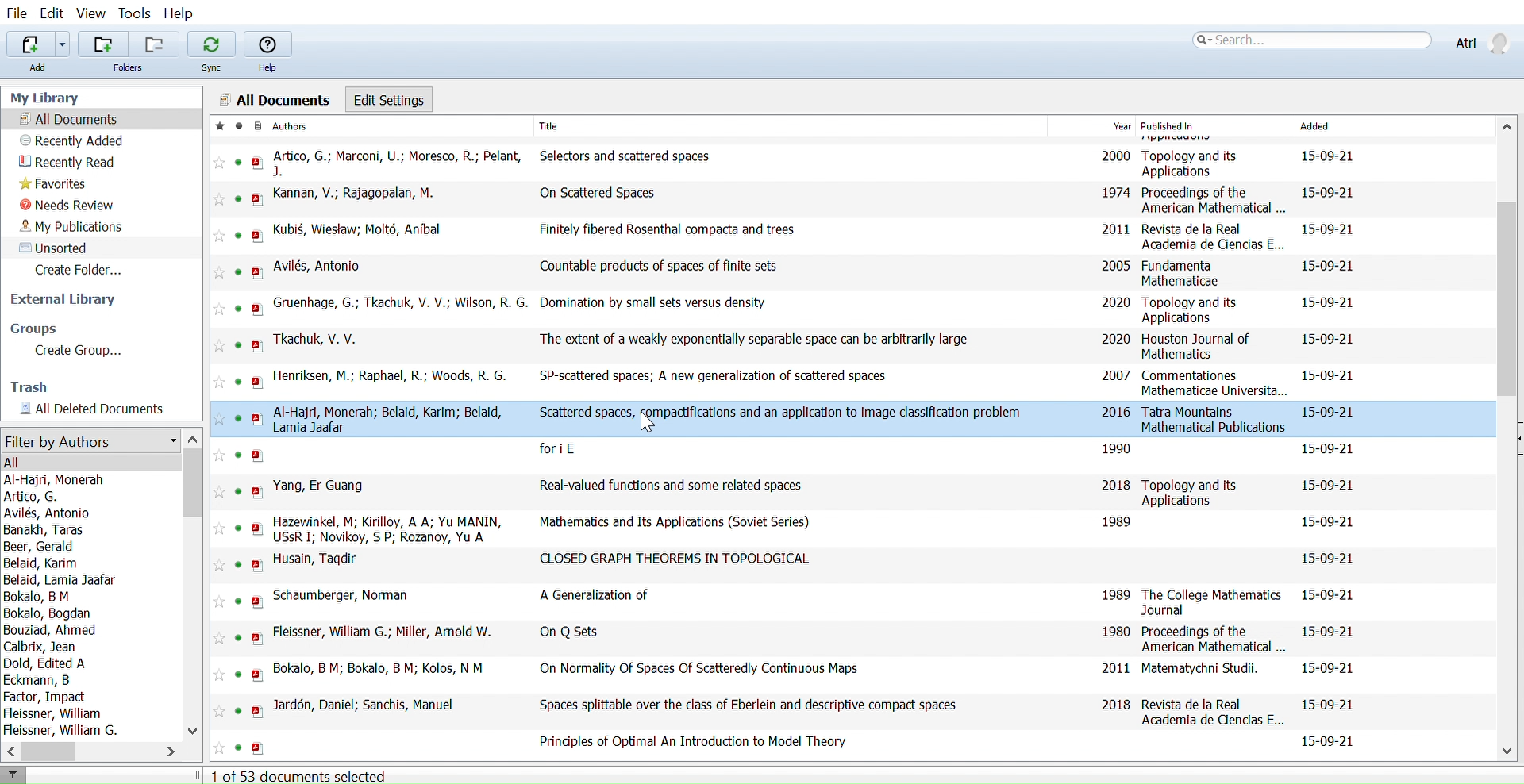 The height and width of the screenshot is (784, 1524). What do you see at coordinates (260, 236) in the screenshot?
I see `PDF document` at bounding box center [260, 236].